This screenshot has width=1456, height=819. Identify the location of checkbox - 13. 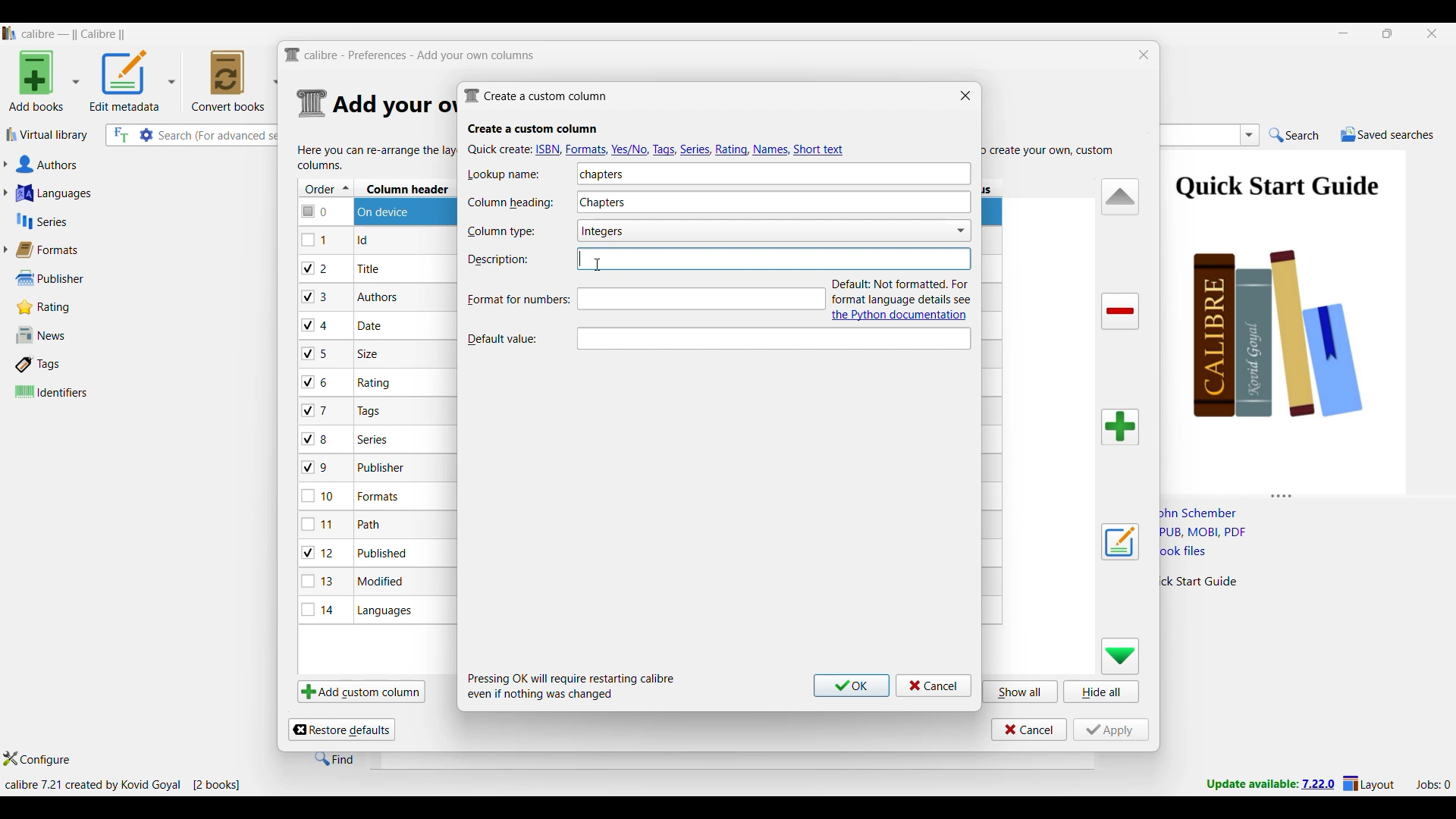
(318, 581).